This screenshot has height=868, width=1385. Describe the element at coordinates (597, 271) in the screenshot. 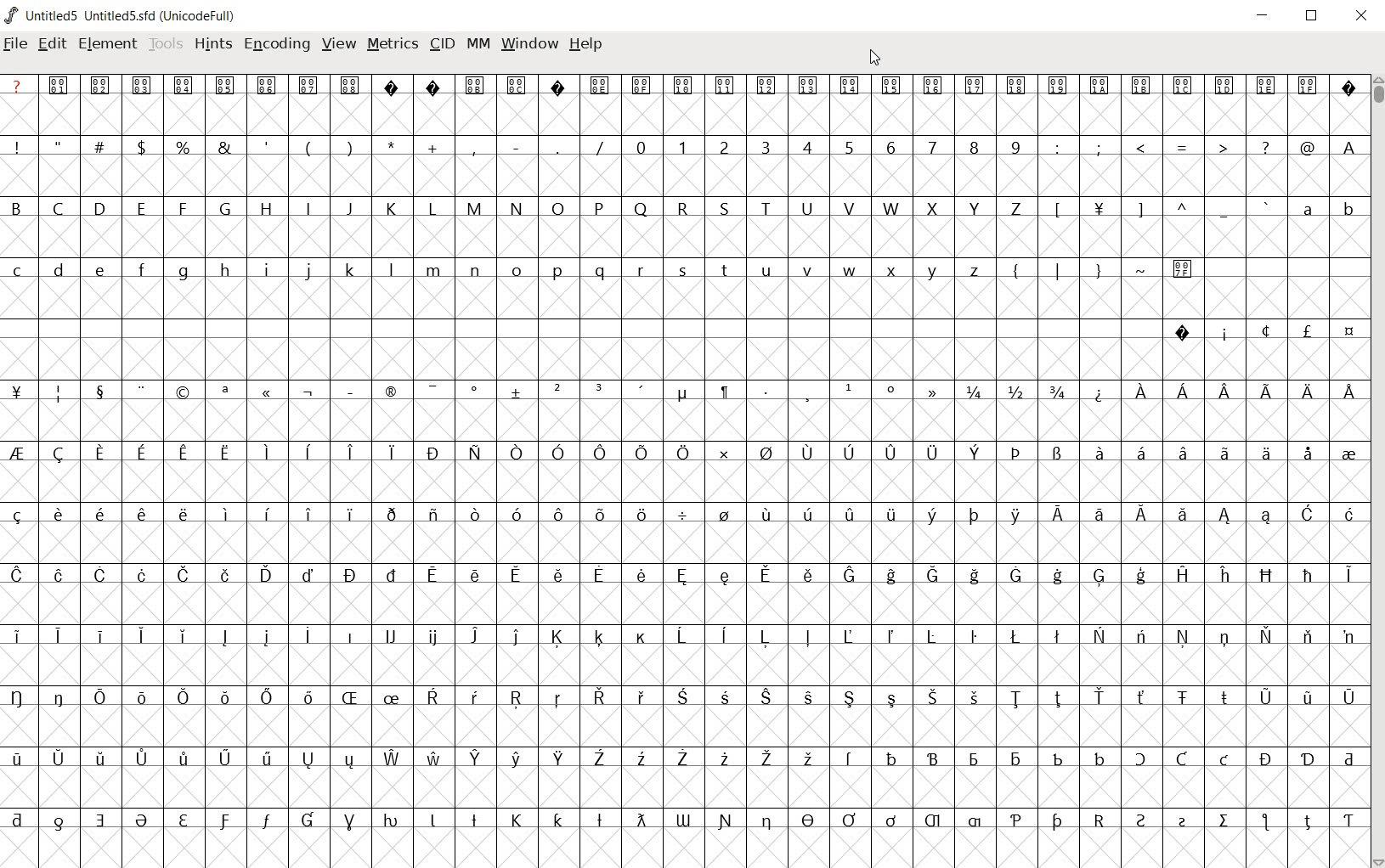

I see `q` at that location.